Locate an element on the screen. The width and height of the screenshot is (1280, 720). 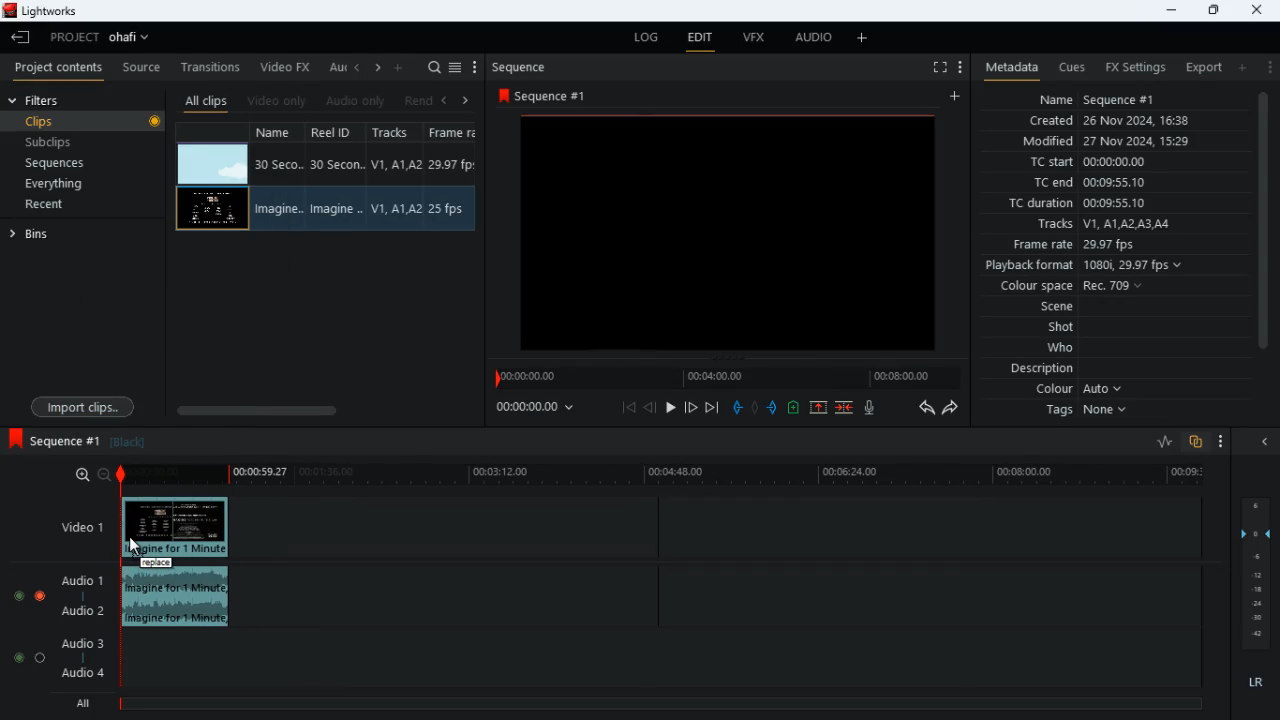
all is located at coordinates (80, 704).